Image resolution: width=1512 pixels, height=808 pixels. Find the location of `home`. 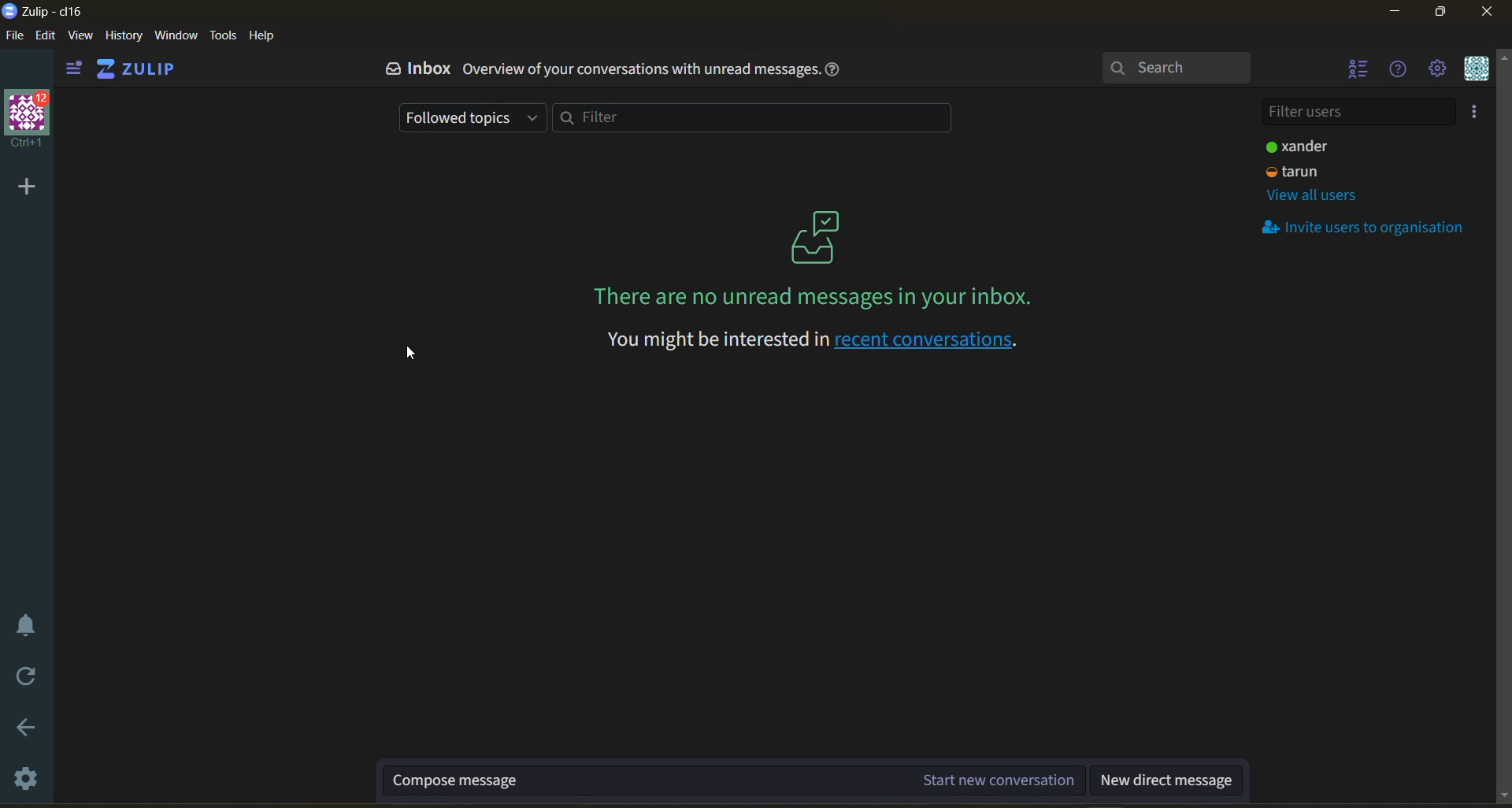

home is located at coordinates (145, 69).